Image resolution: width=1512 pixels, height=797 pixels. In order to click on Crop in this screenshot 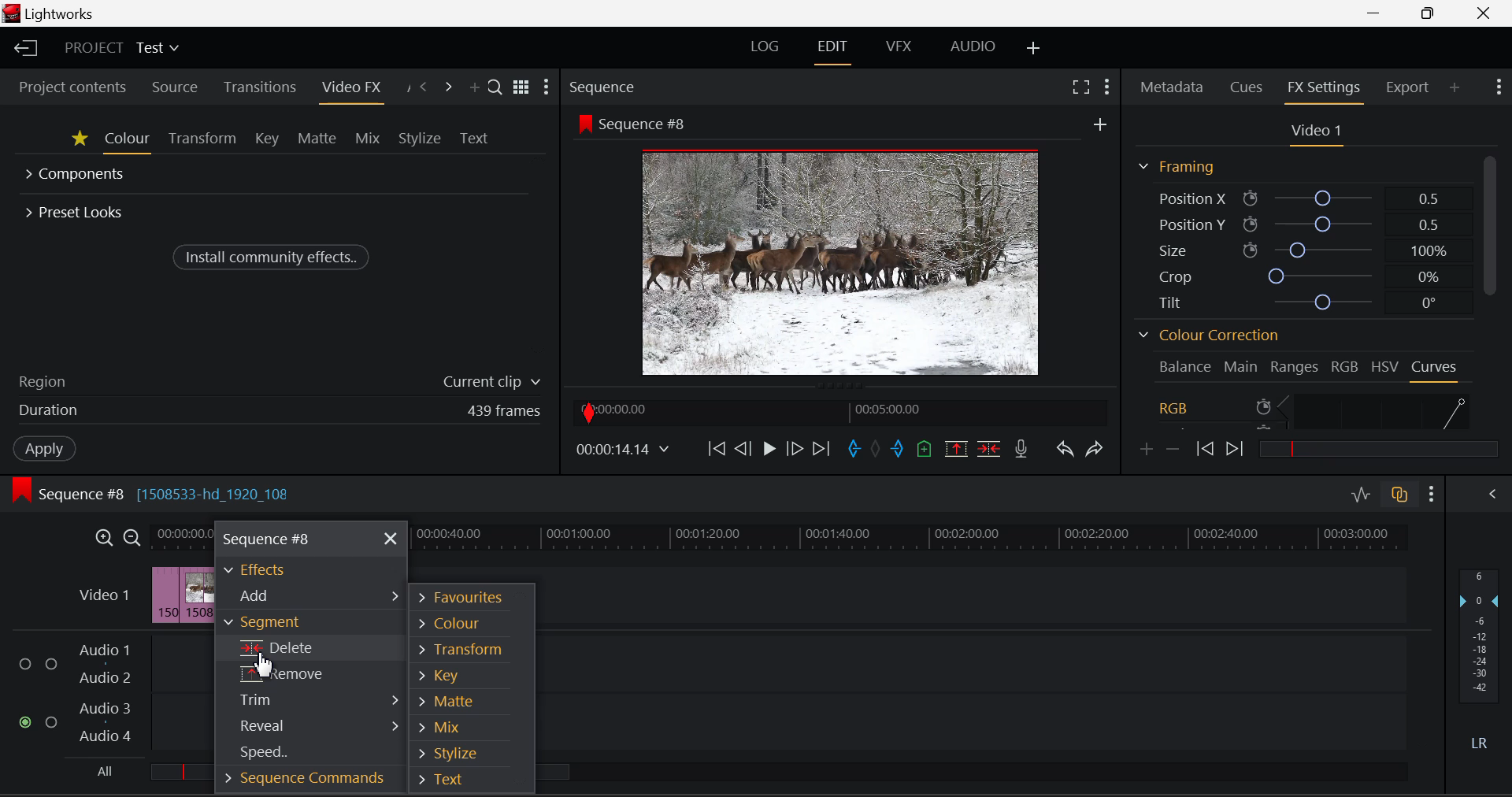, I will do `click(1296, 275)`.